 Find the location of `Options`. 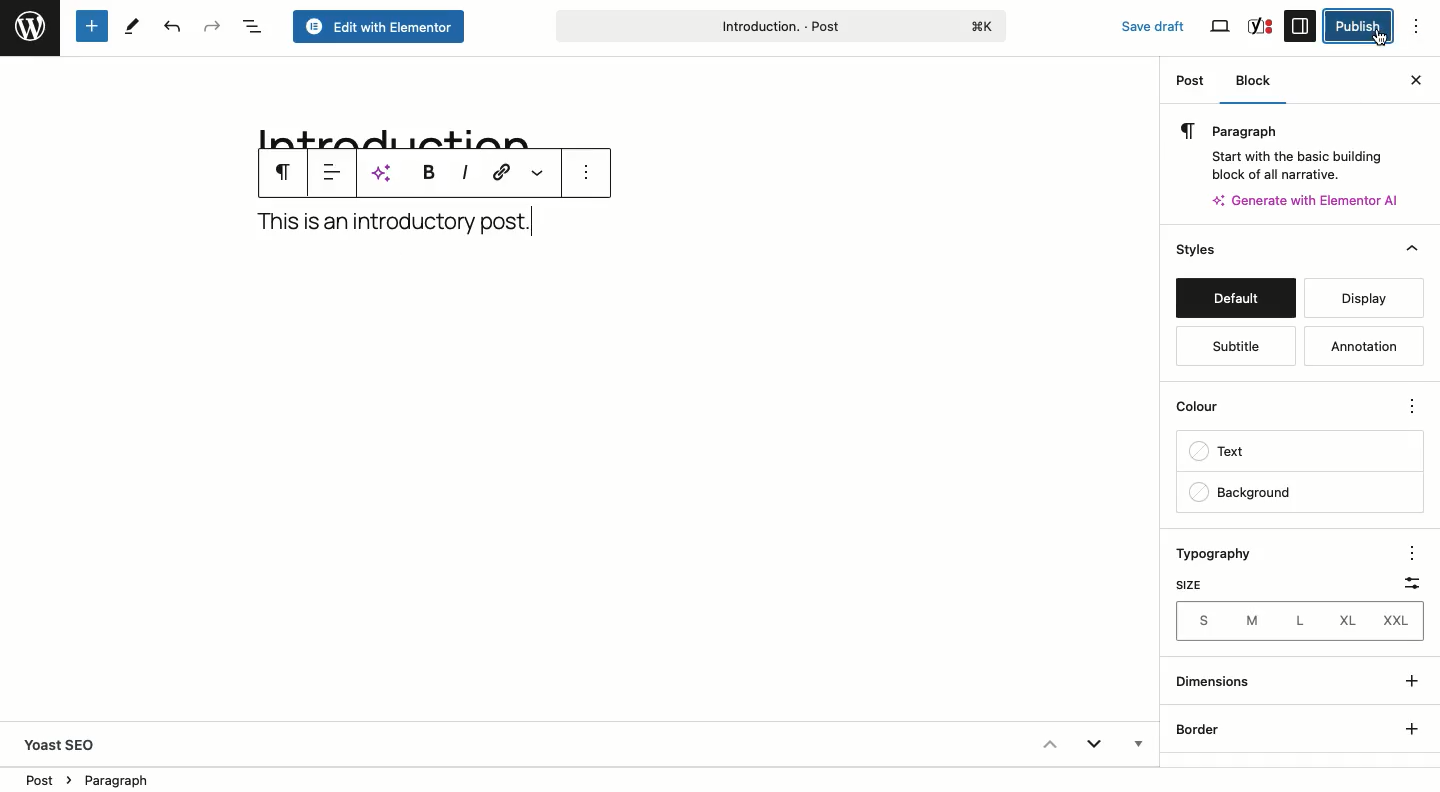

Options is located at coordinates (1425, 27).